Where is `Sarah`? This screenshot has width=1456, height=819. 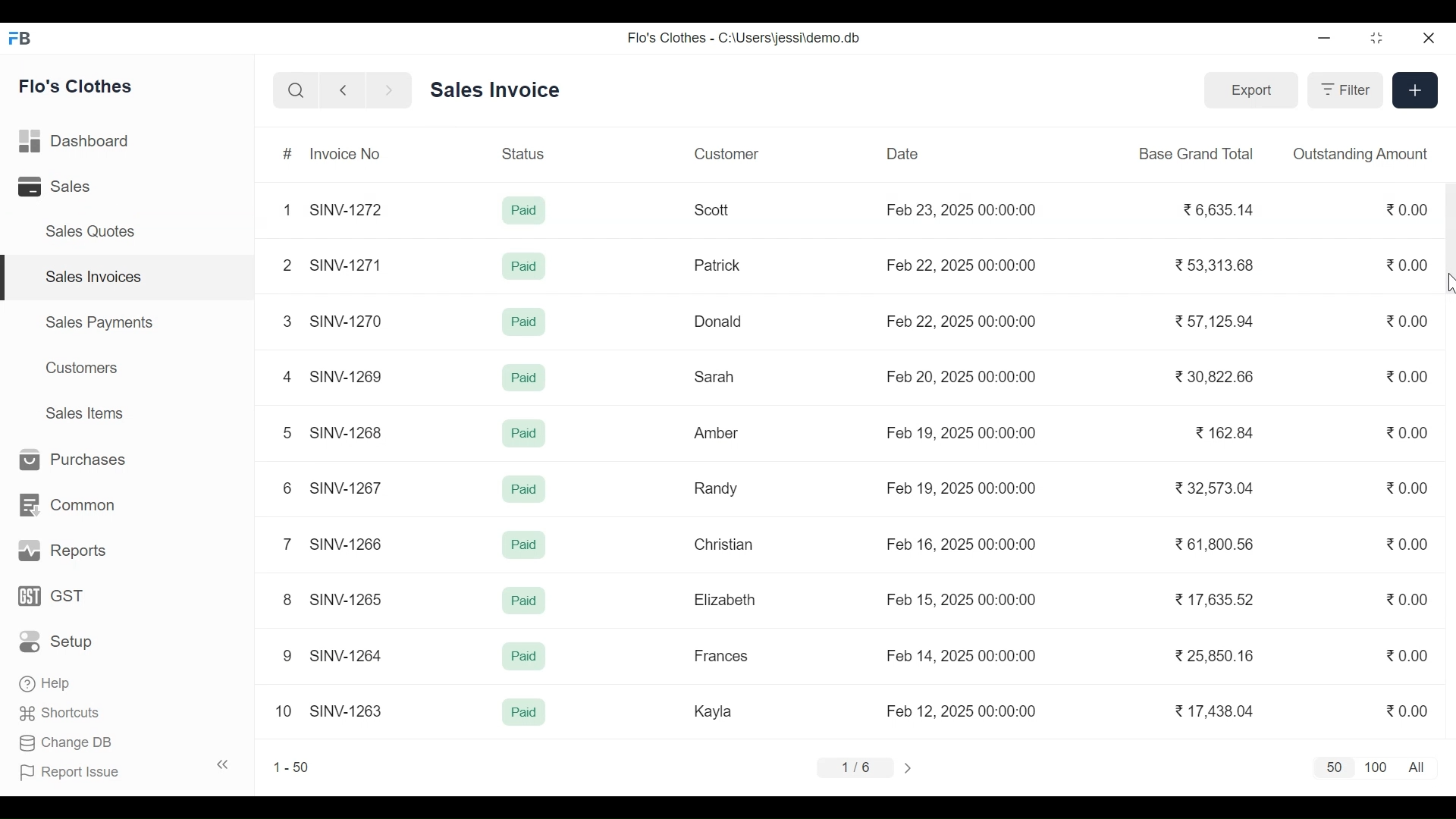 Sarah is located at coordinates (716, 378).